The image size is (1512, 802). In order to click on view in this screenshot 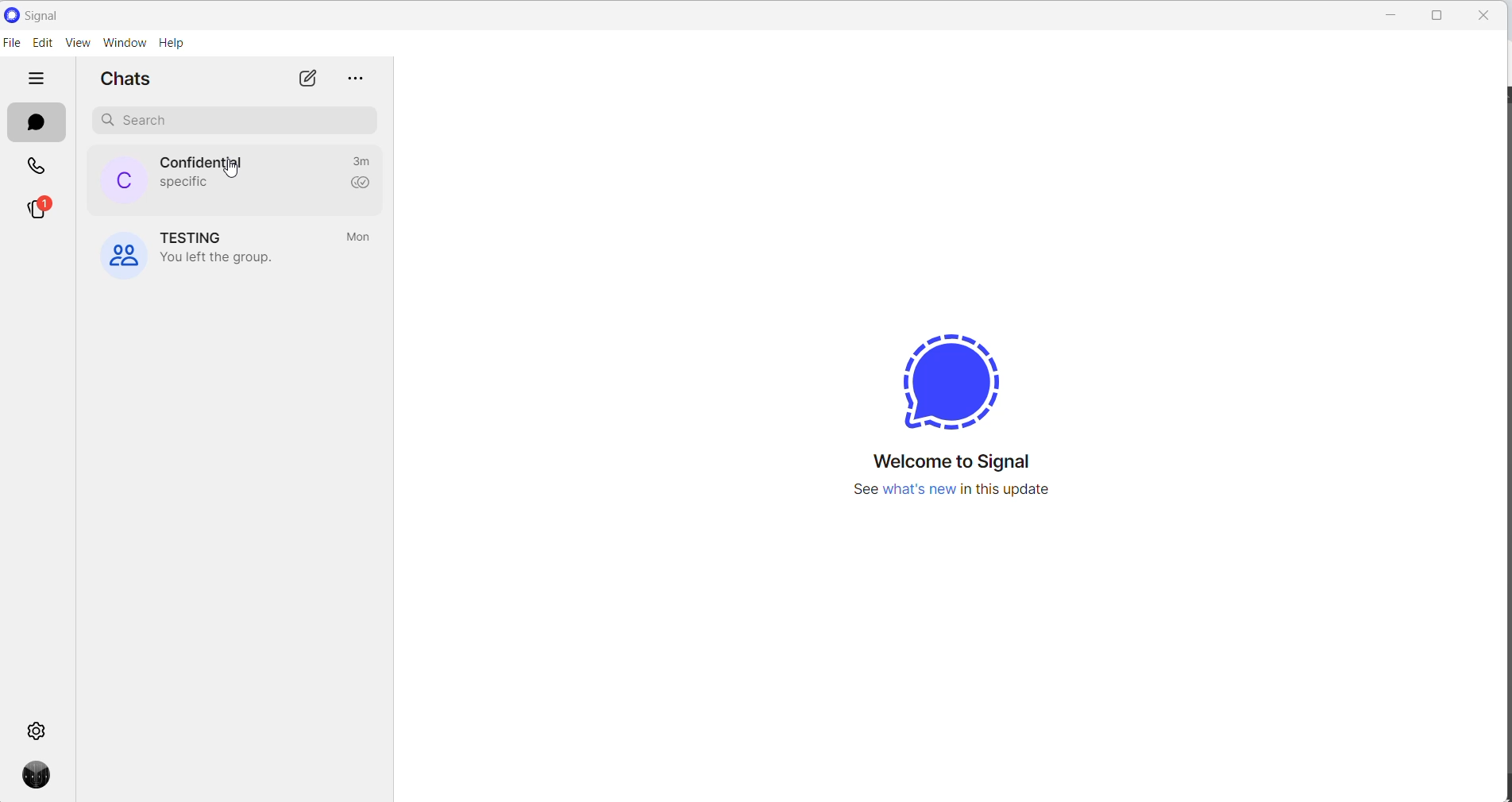, I will do `click(82, 44)`.